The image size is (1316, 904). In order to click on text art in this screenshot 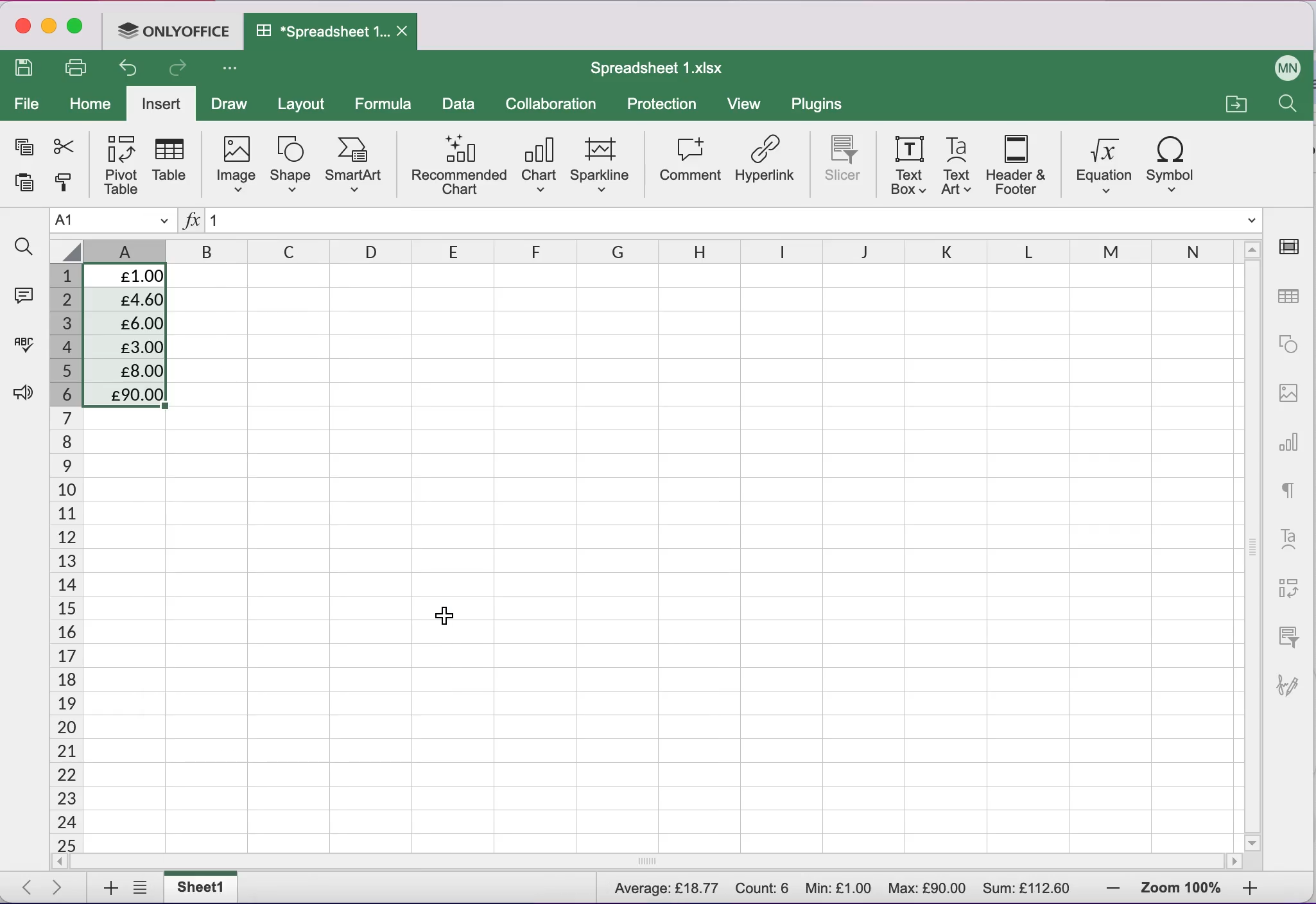, I will do `click(1288, 542)`.